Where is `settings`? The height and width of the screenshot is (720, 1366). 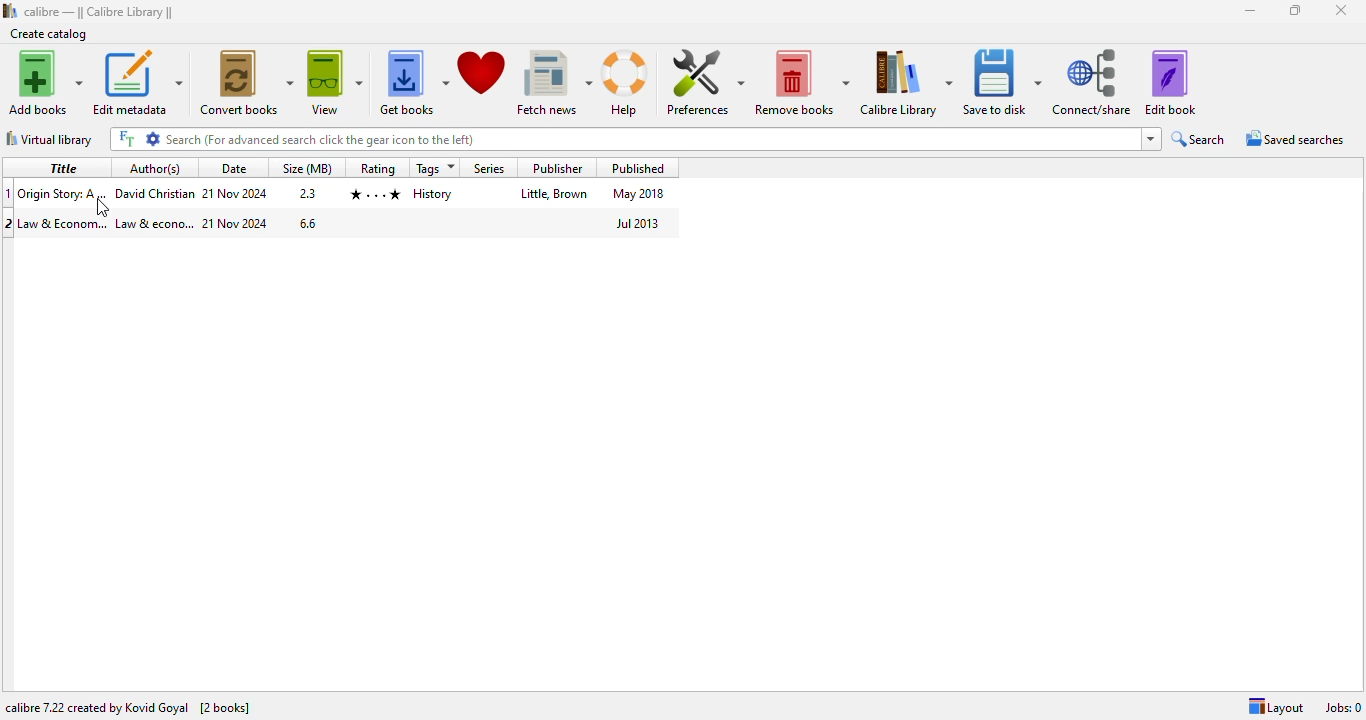 settings is located at coordinates (153, 139).